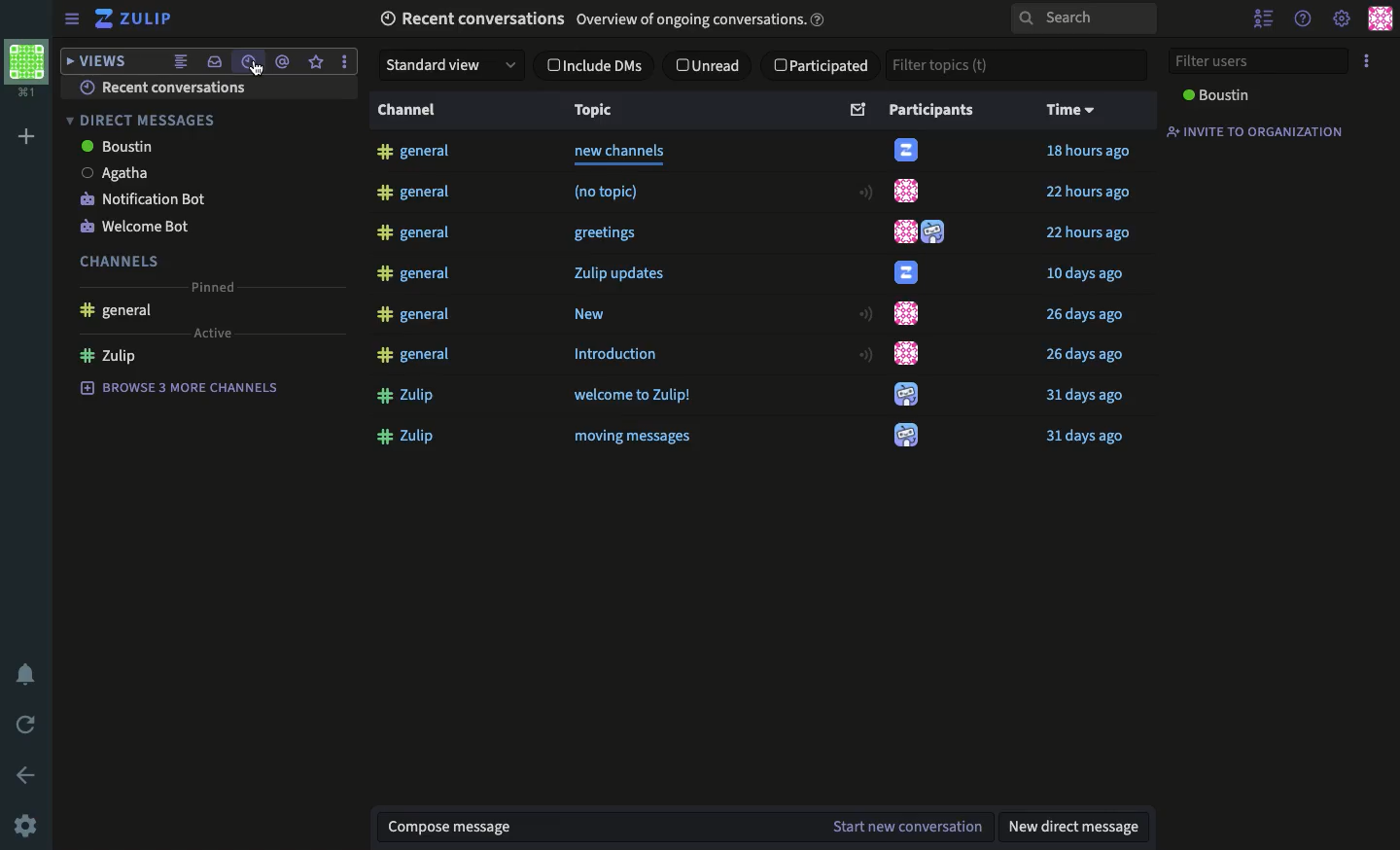  What do you see at coordinates (631, 274) in the screenshot?
I see `zulip updates` at bounding box center [631, 274].